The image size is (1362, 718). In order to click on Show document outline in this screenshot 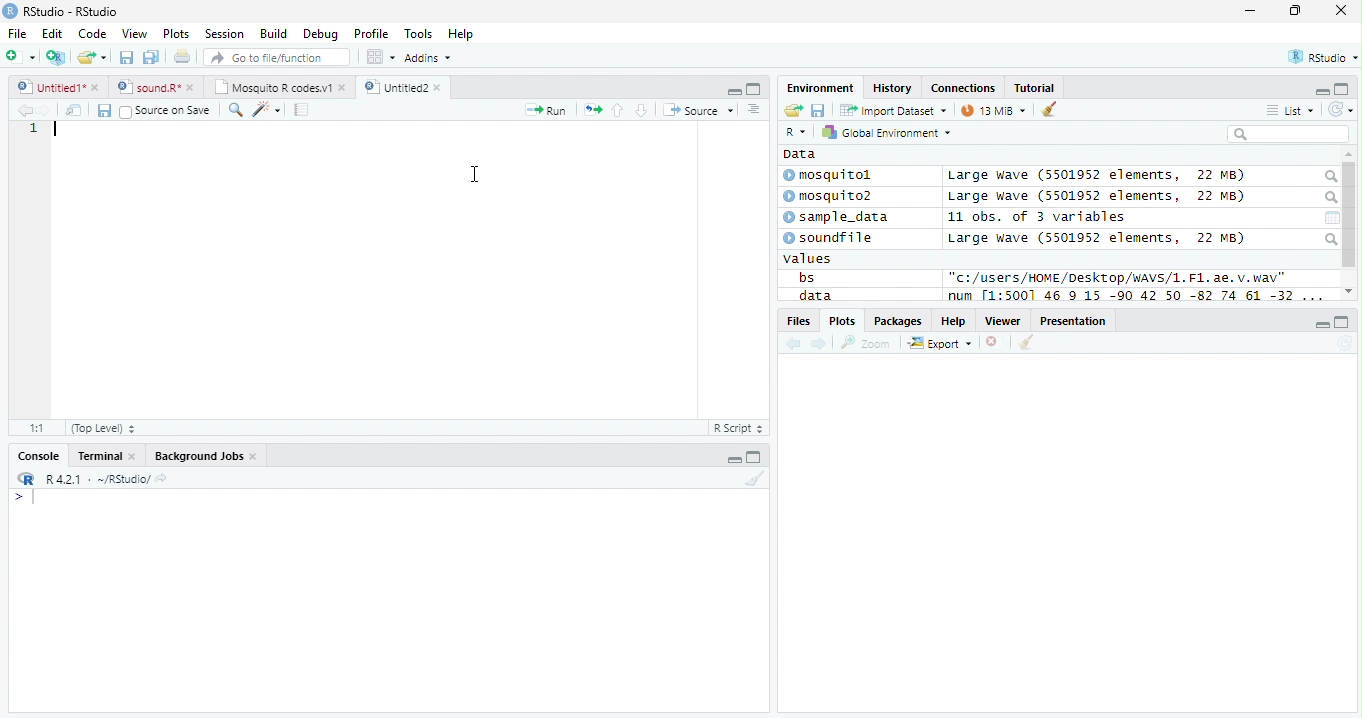, I will do `click(753, 109)`.